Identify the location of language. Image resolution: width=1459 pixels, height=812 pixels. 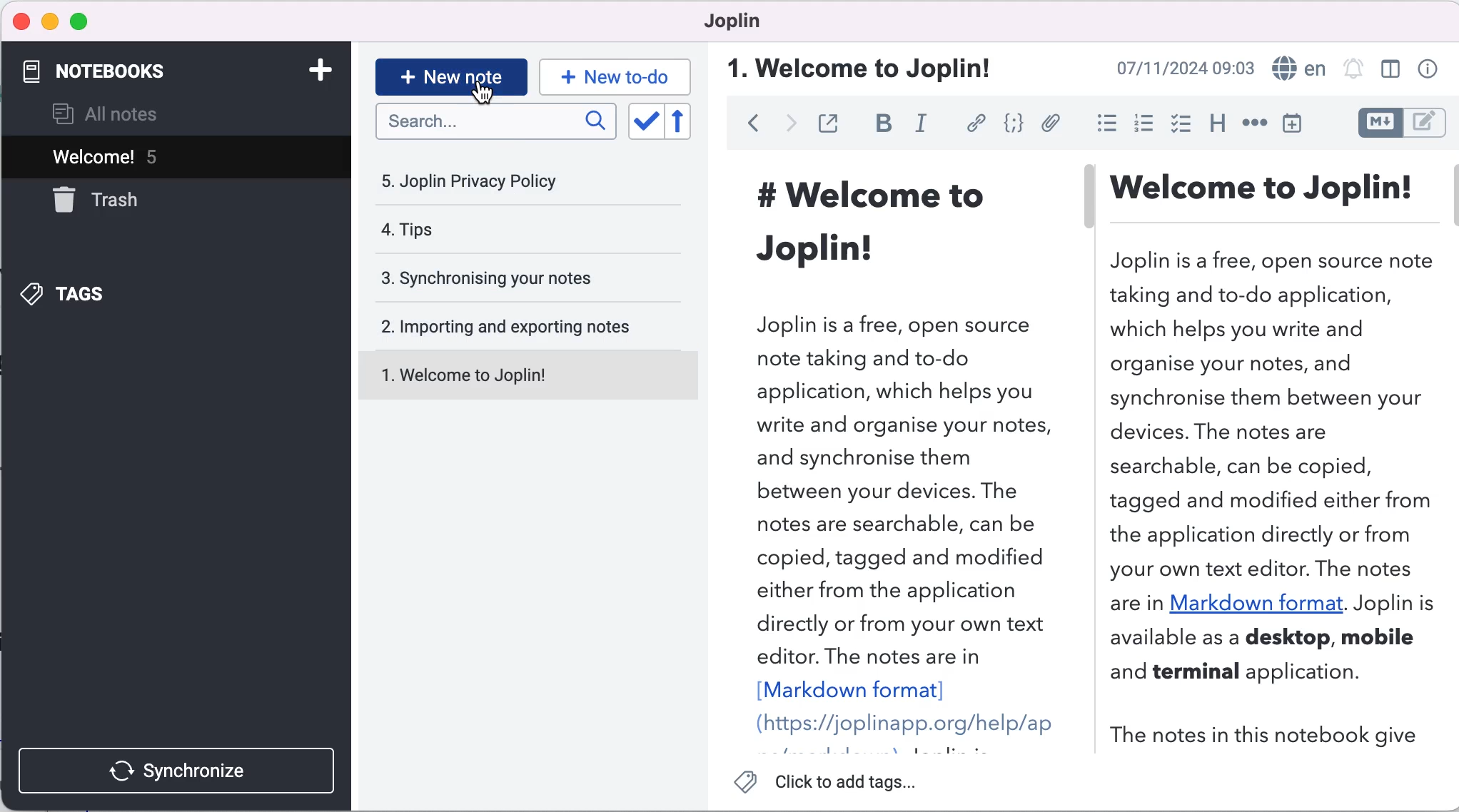
(1298, 67).